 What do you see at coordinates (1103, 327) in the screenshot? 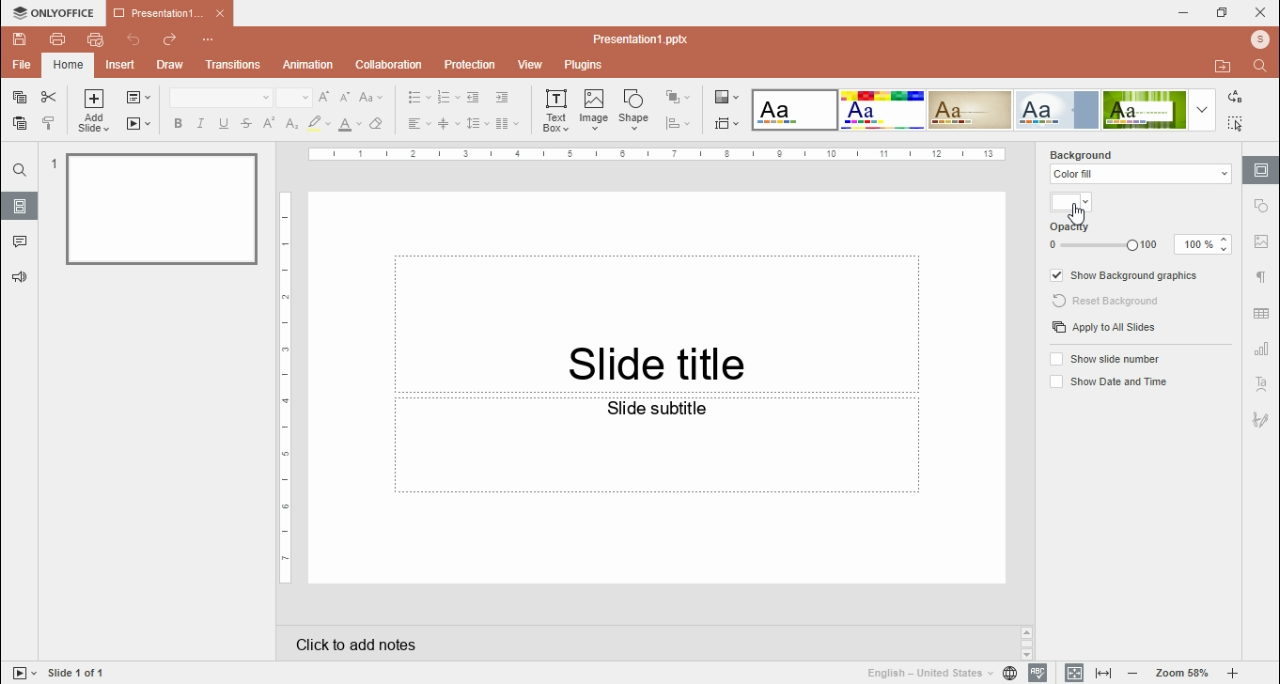
I see `apply to all slides` at bounding box center [1103, 327].